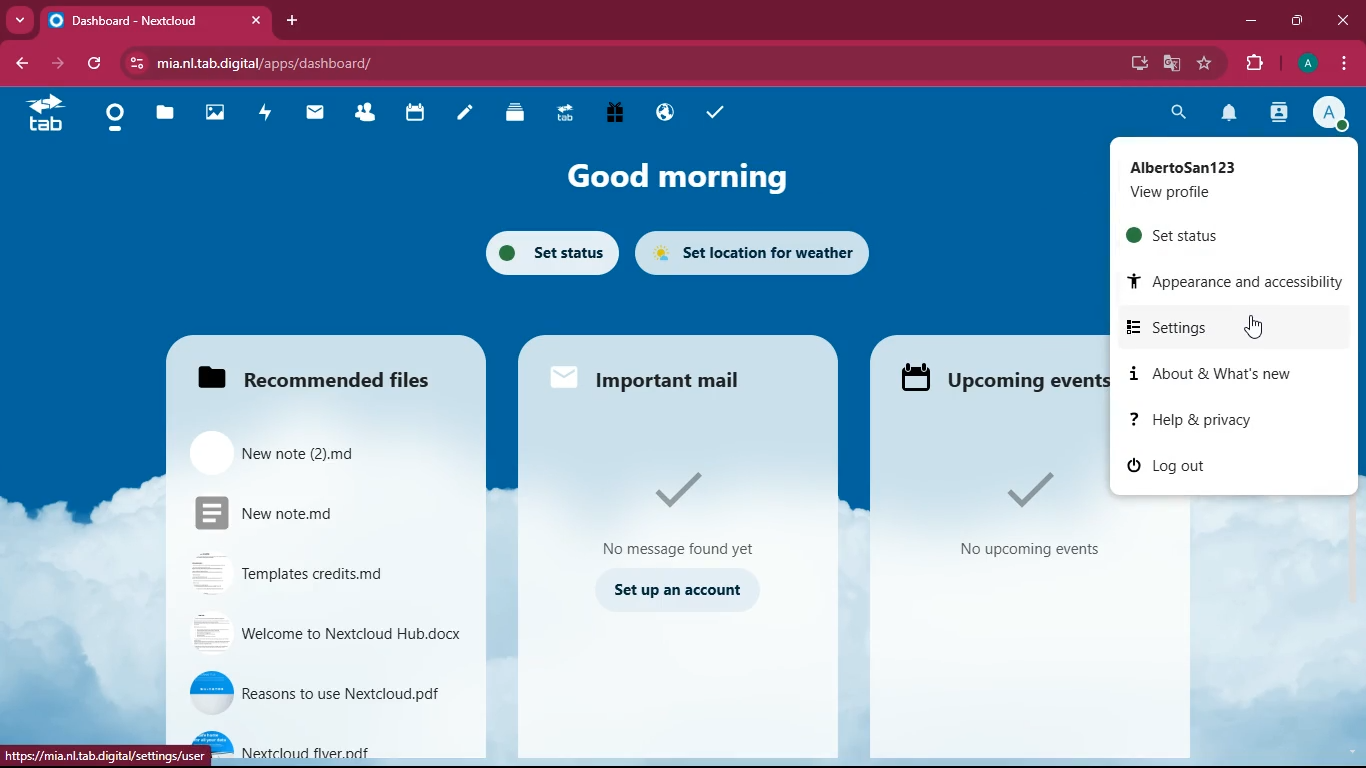  I want to click on more, so click(20, 20).